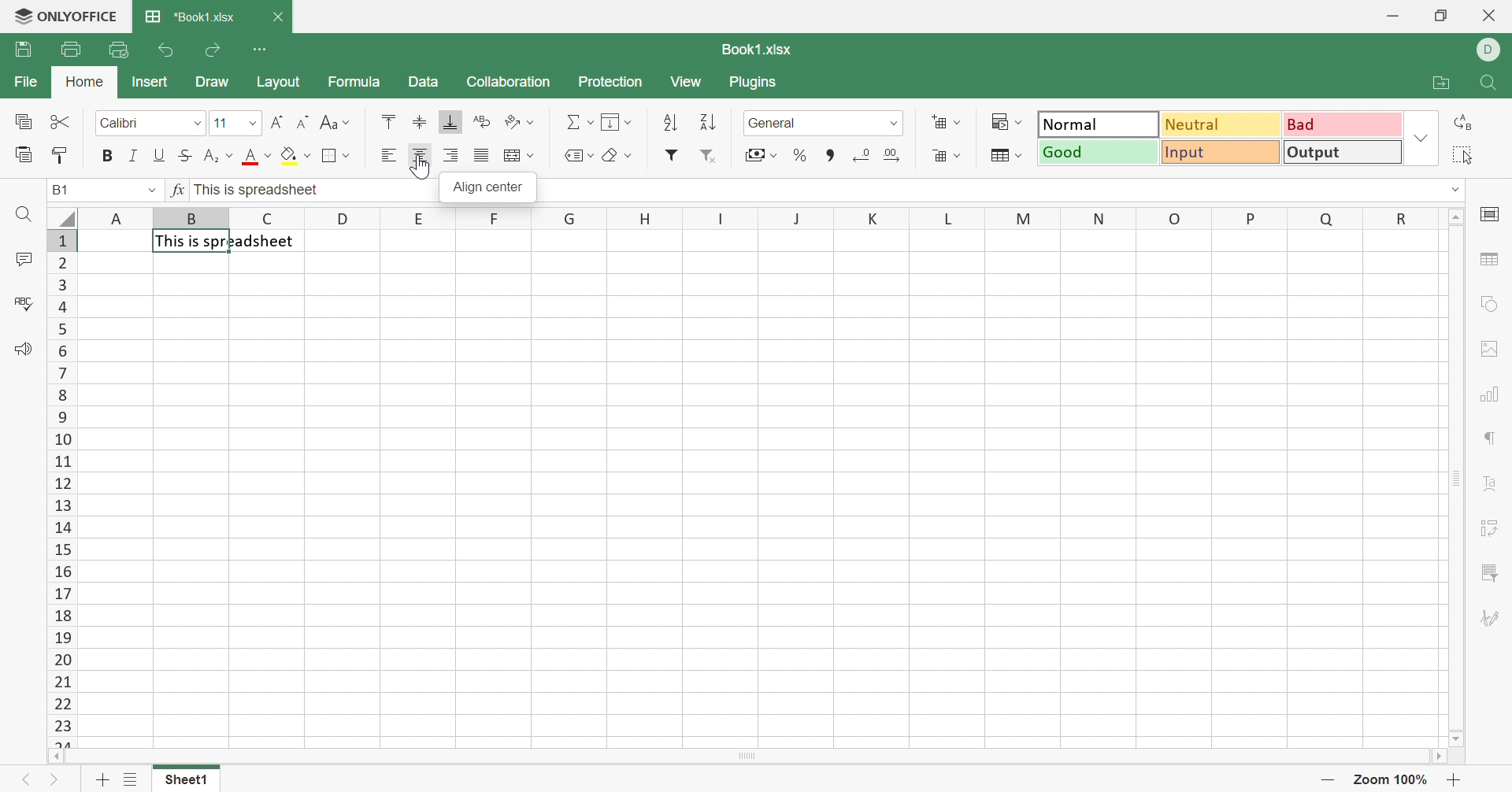  I want to click on Increment Font size, so click(277, 118).